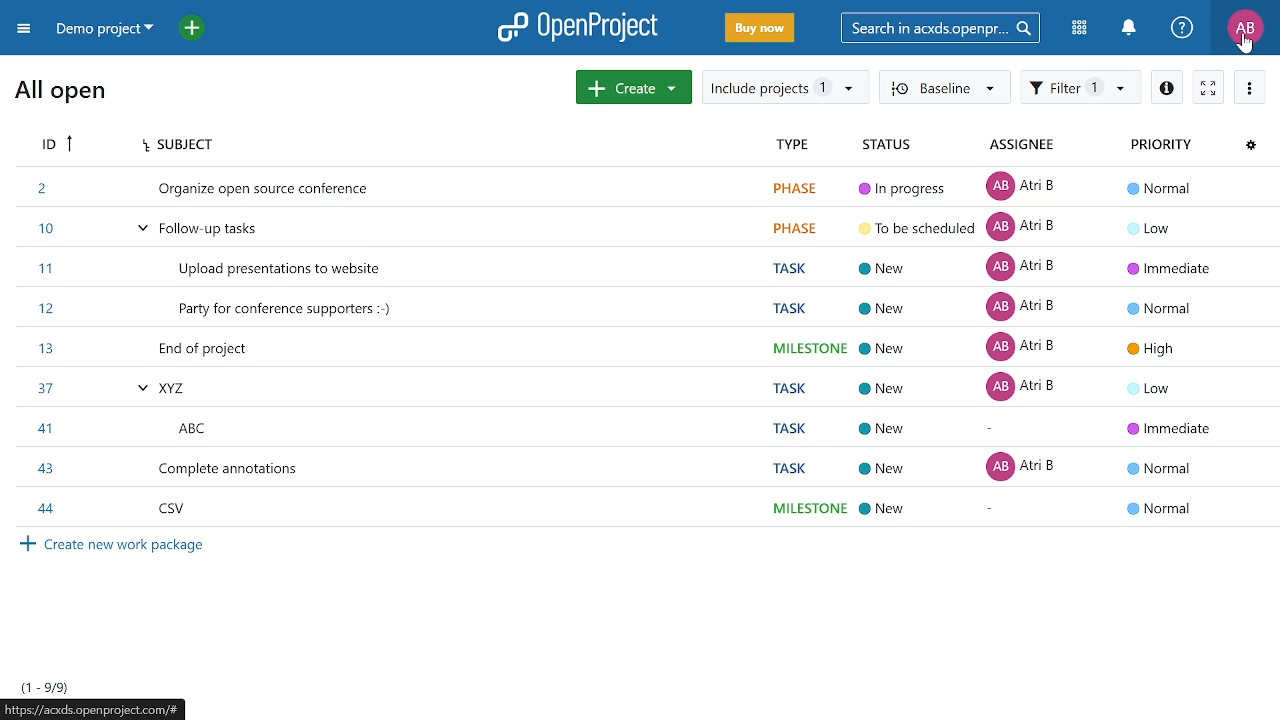 This screenshot has width=1280, height=720. I want to click on Search, so click(947, 27).